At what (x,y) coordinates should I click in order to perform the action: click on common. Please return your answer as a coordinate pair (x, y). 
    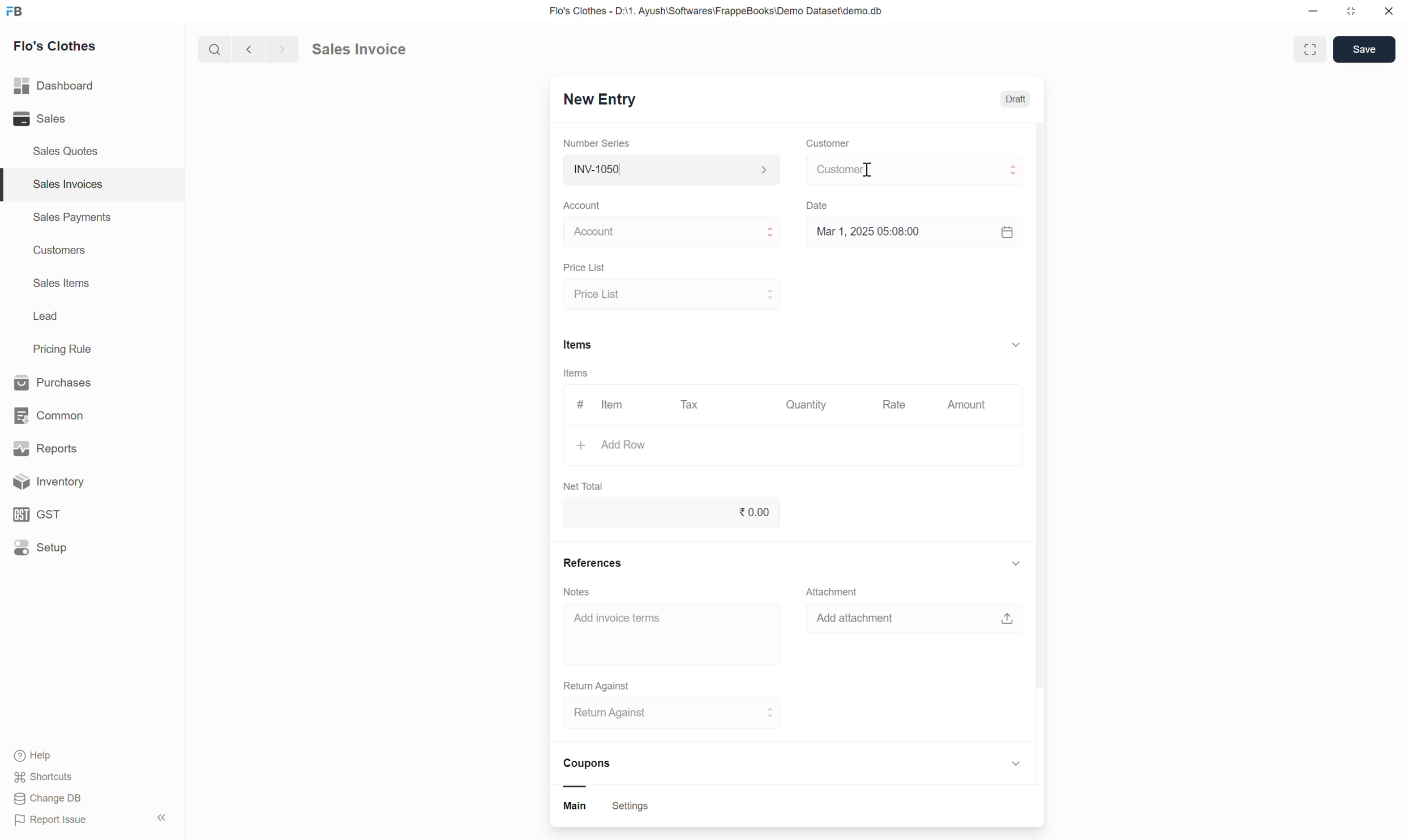
    Looking at the image, I should click on (74, 413).